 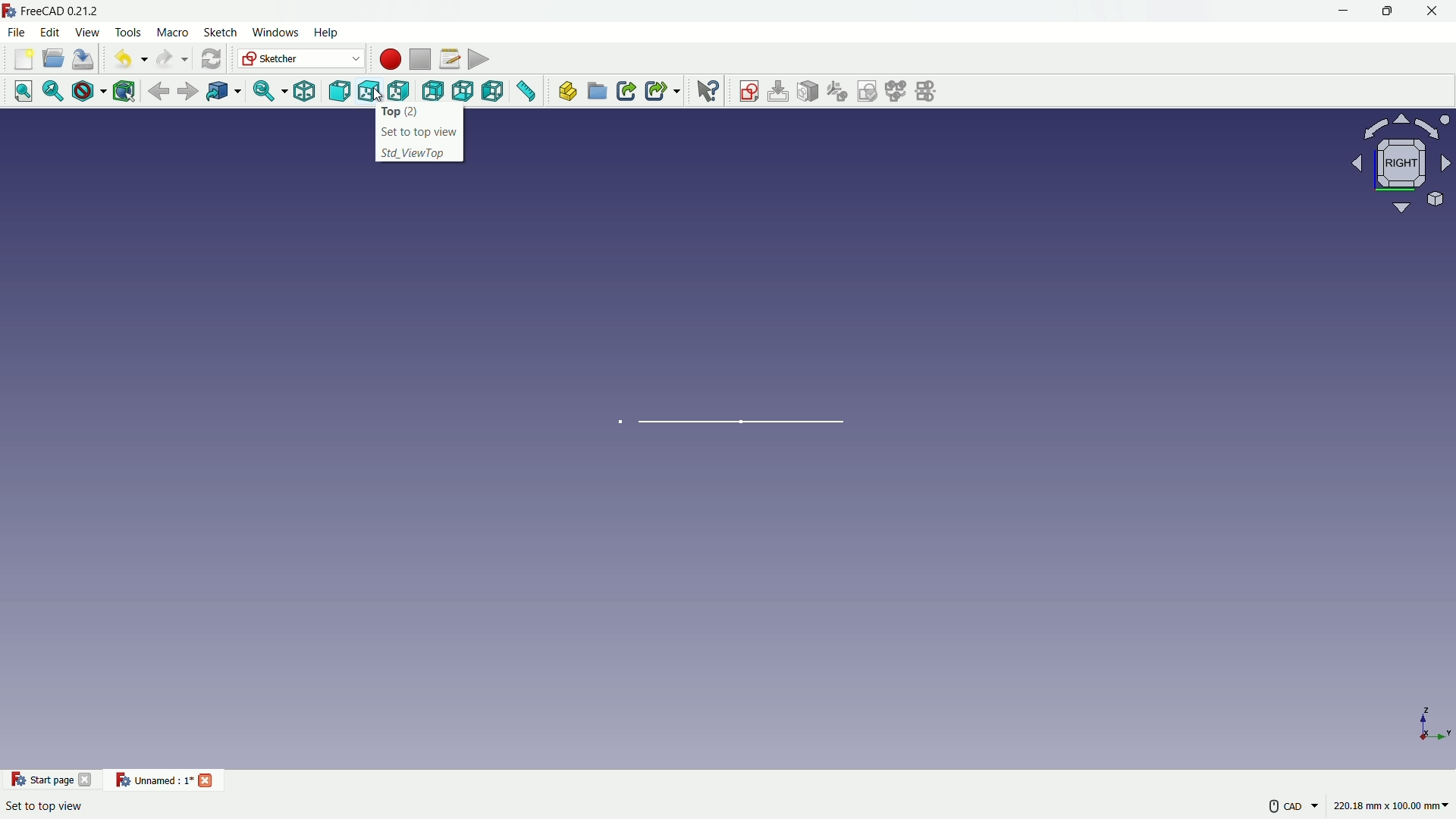 What do you see at coordinates (480, 58) in the screenshot?
I see `execute macros` at bounding box center [480, 58].